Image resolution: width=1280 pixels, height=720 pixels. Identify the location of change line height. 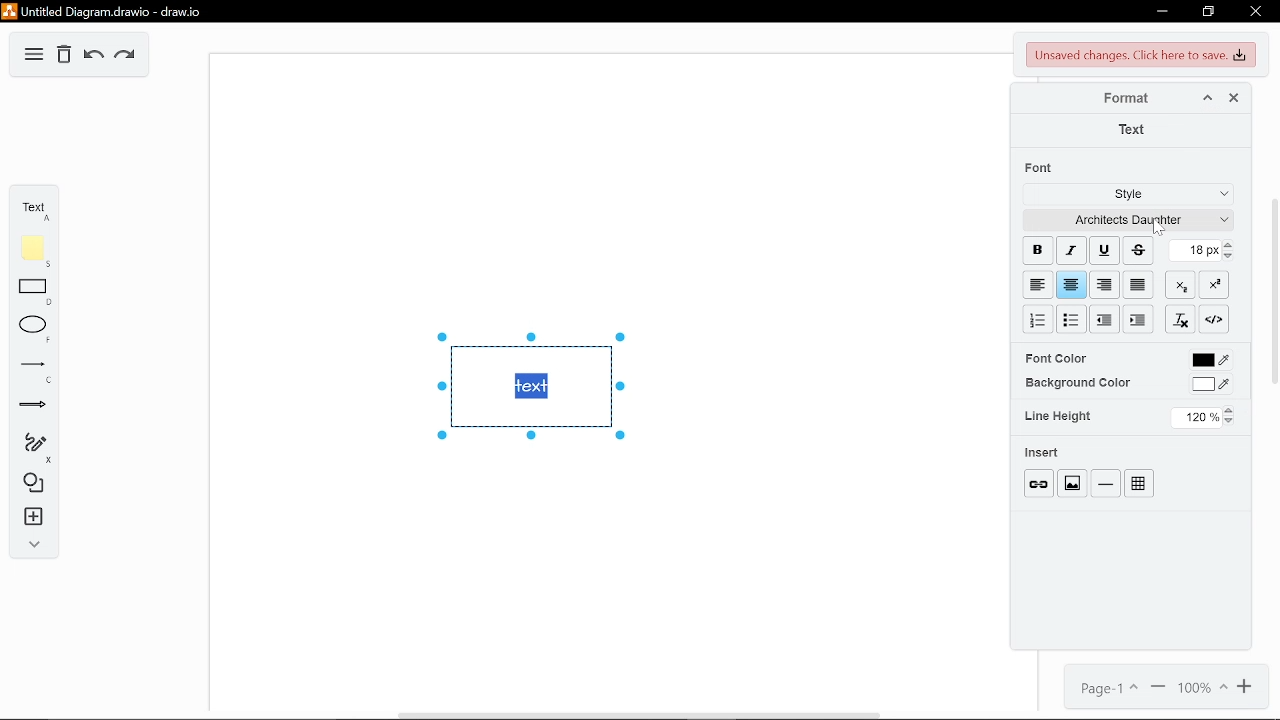
(1203, 418).